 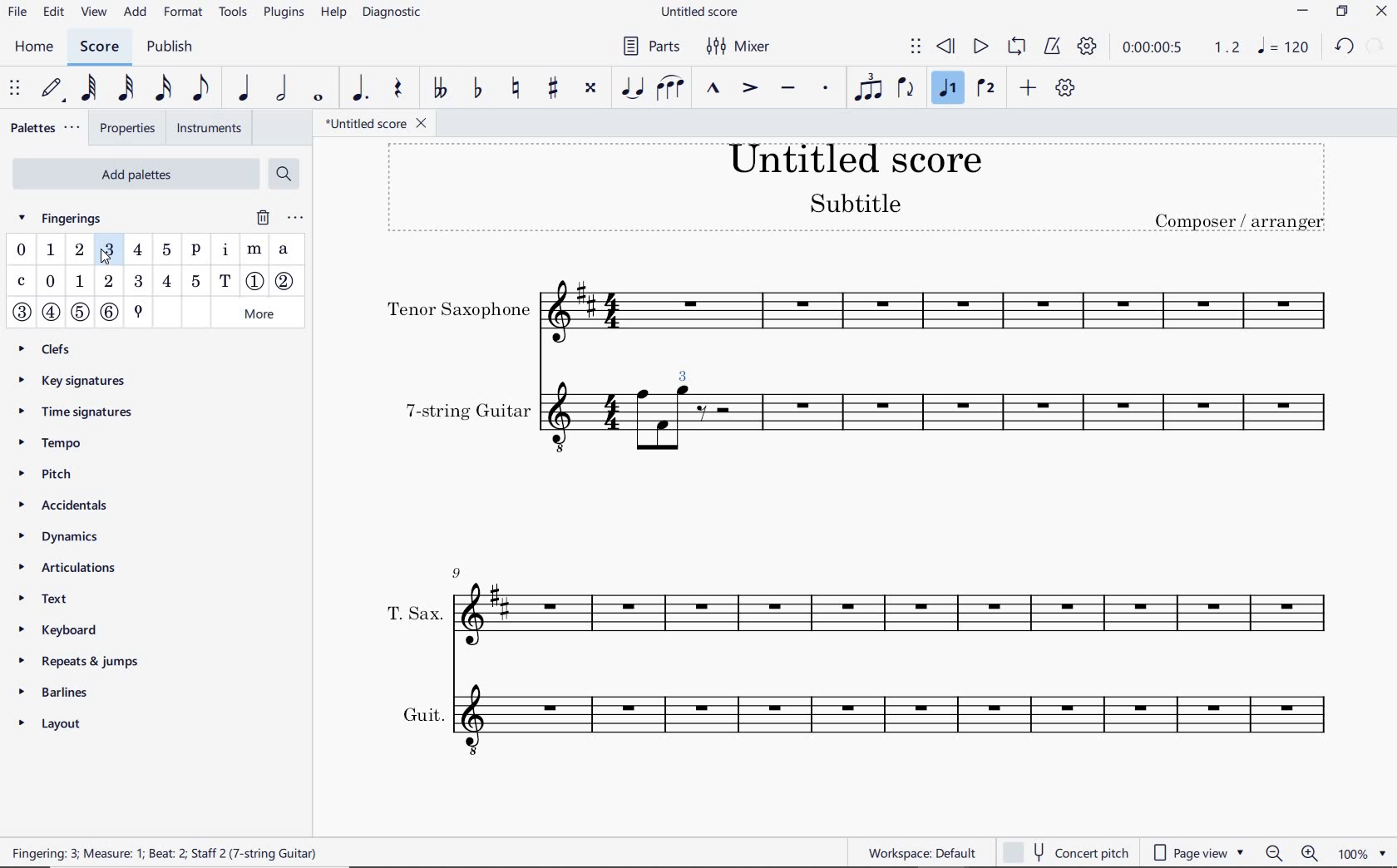 I want to click on TIME SIGNATURES, so click(x=81, y=413).